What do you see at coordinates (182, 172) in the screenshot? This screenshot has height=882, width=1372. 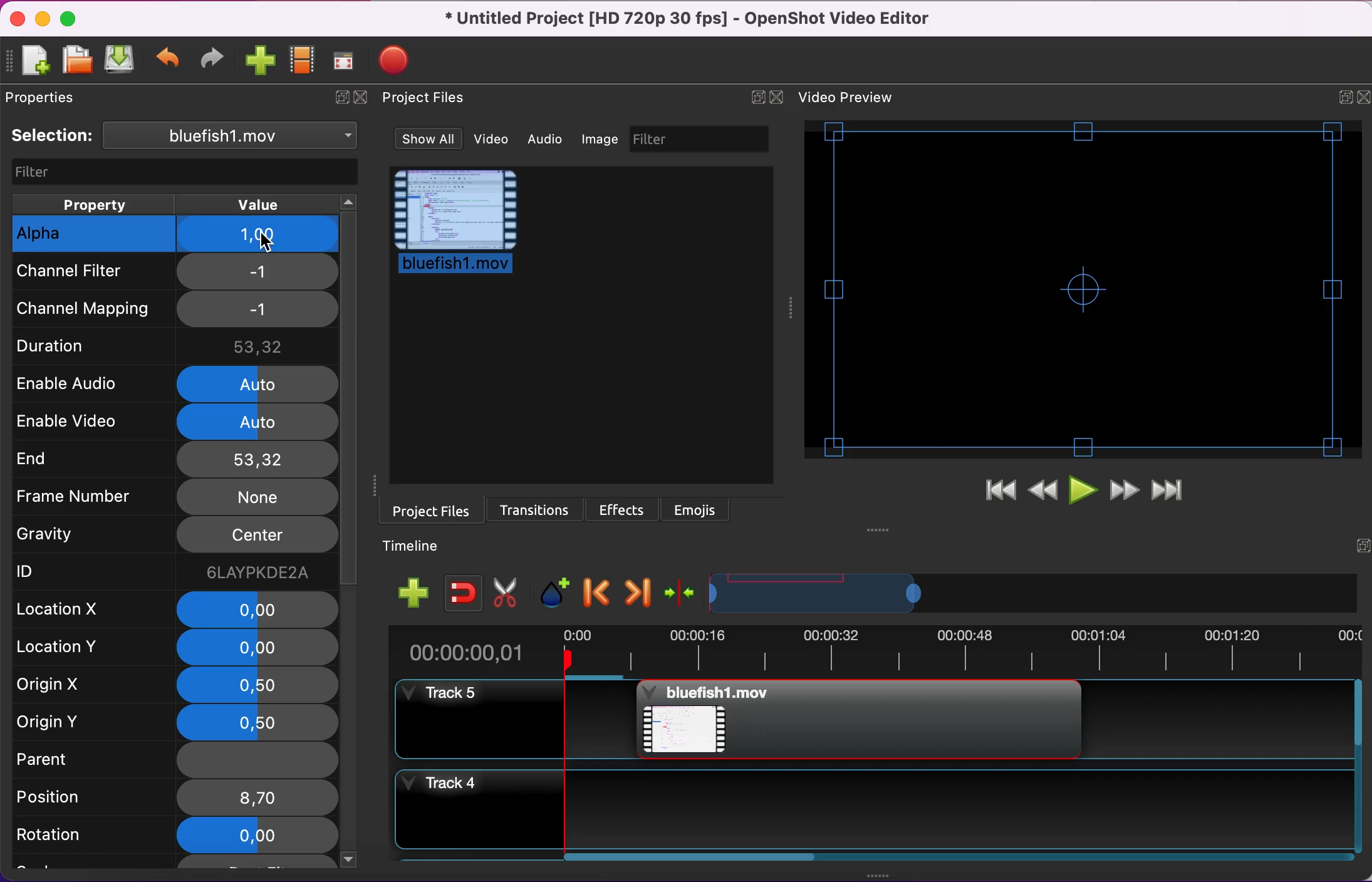 I see `filter` at bounding box center [182, 172].